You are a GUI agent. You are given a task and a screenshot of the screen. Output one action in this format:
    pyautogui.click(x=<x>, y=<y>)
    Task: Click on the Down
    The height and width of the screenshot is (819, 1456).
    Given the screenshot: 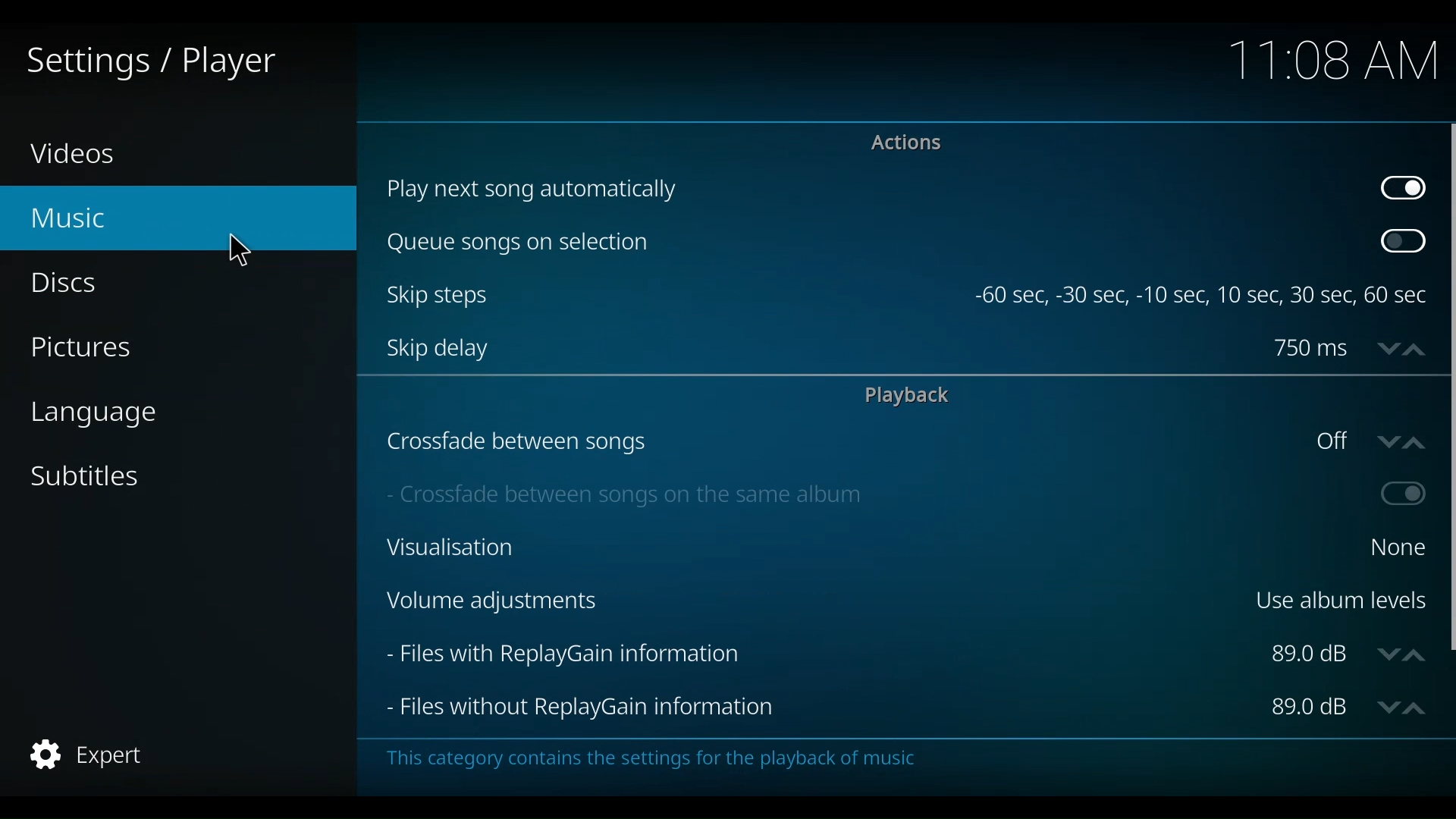 What is the action you would take?
    pyautogui.click(x=1385, y=706)
    